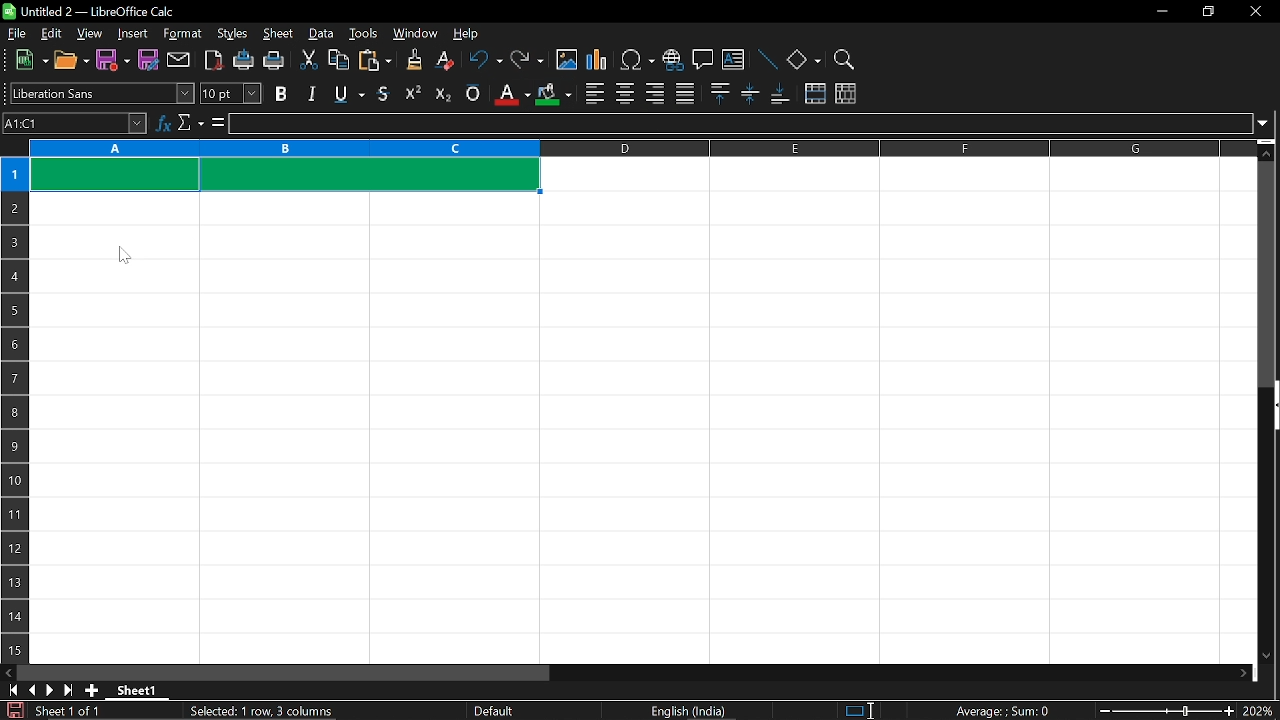 The height and width of the screenshot is (720, 1280). I want to click on insert chart, so click(598, 61).